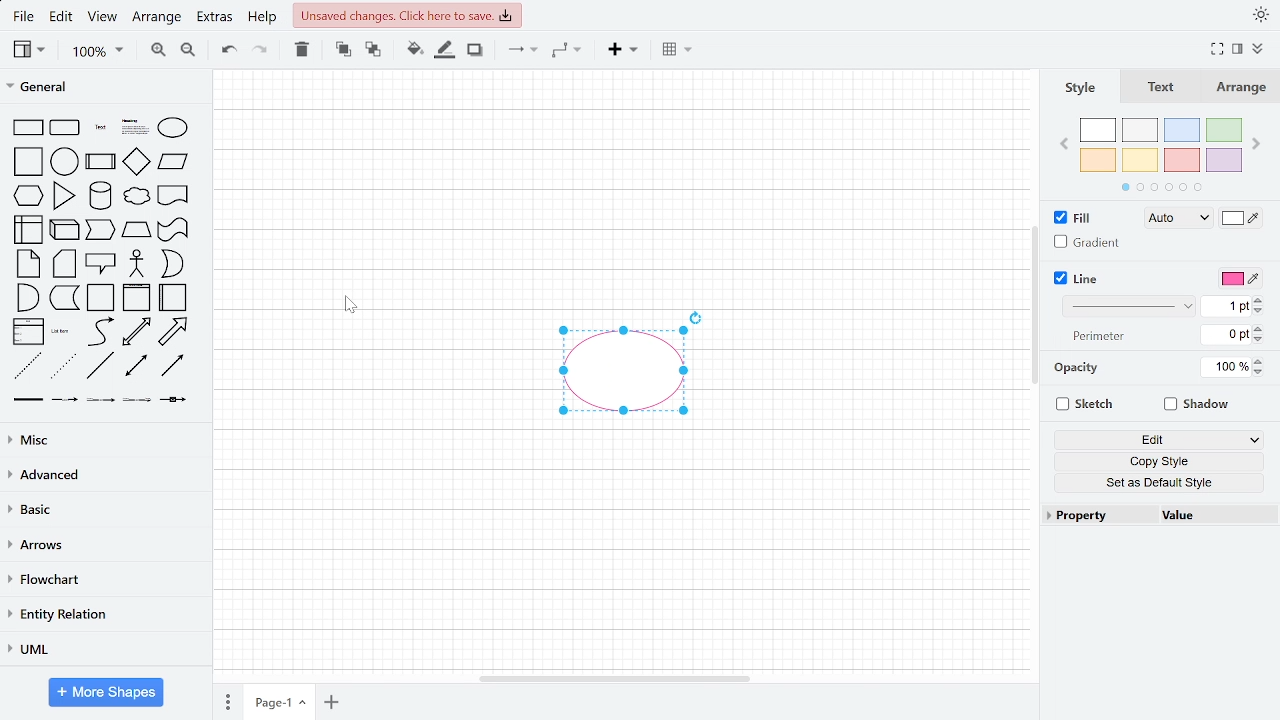 Image resolution: width=1280 pixels, height=720 pixels. I want to click on Table, so click(674, 50).